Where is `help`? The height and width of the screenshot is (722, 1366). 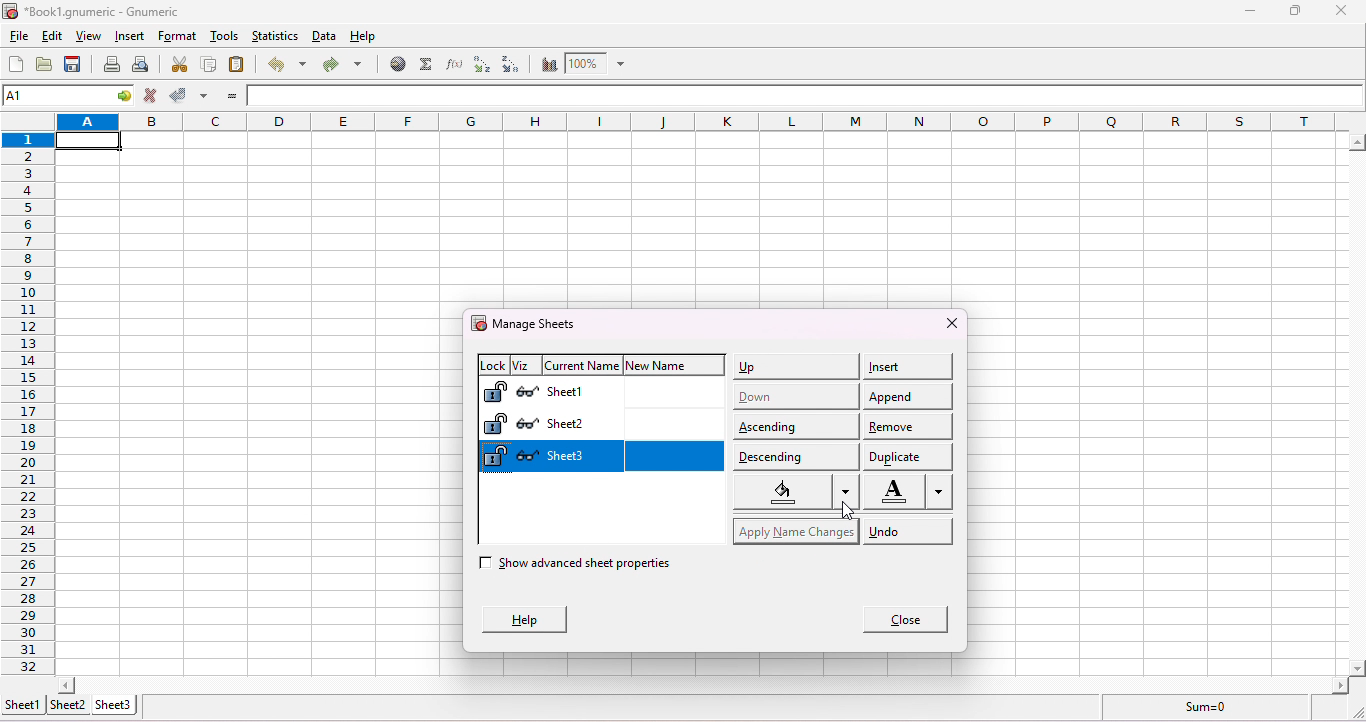 help is located at coordinates (528, 619).